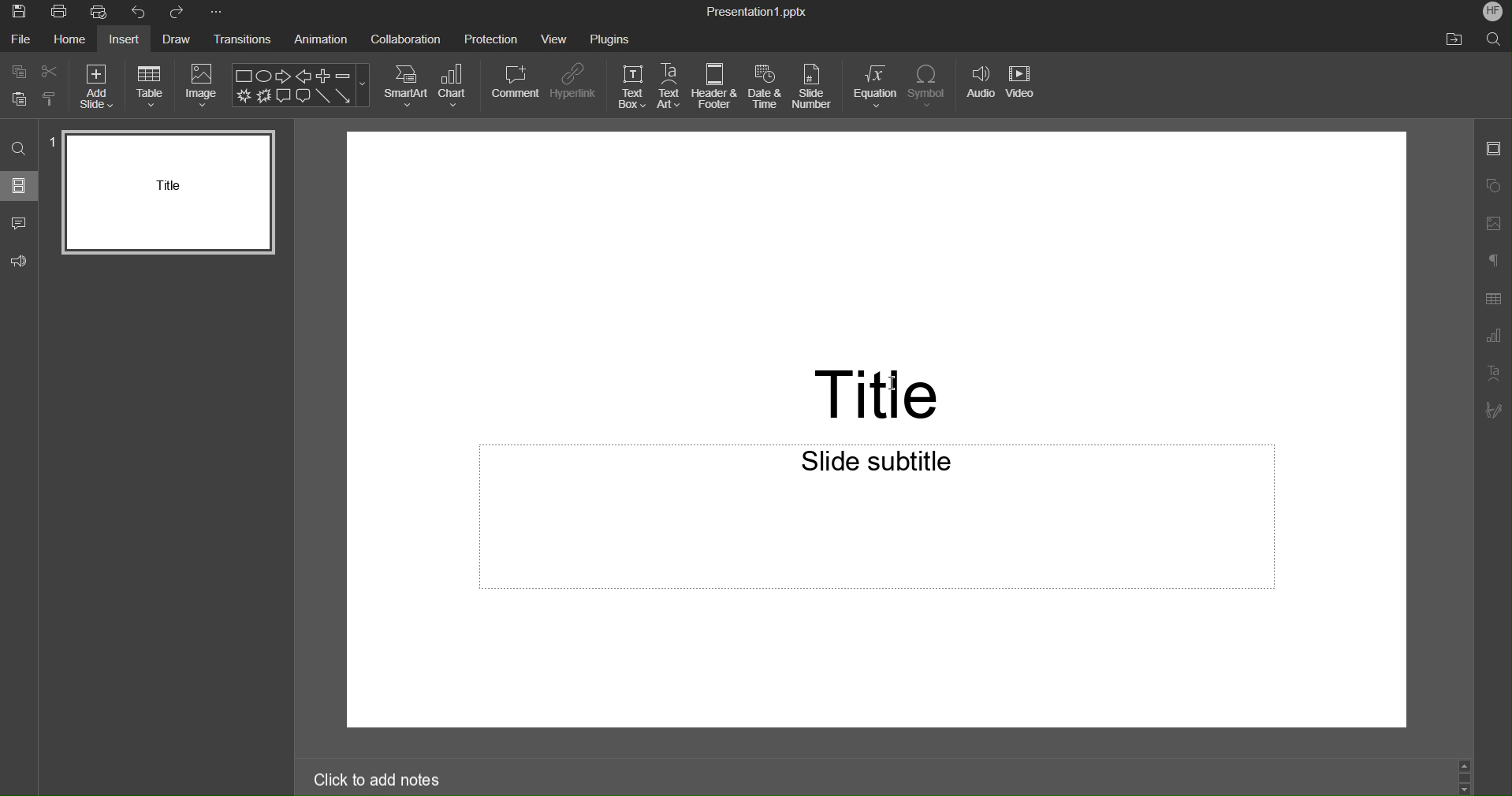  Describe the element at coordinates (19, 222) in the screenshot. I see `Comment` at that location.